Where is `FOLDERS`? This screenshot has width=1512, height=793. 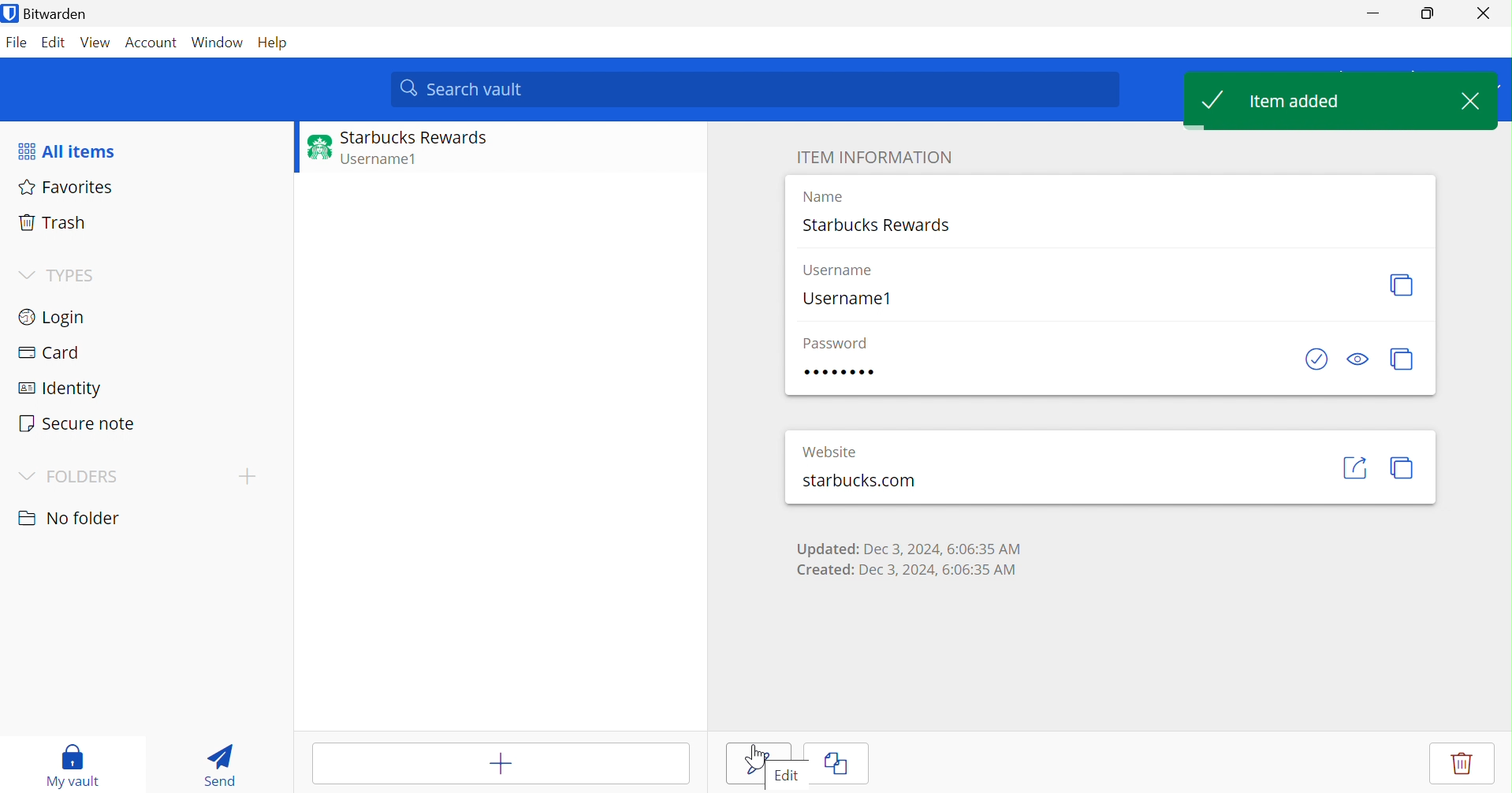 FOLDERS is located at coordinates (84, 478).